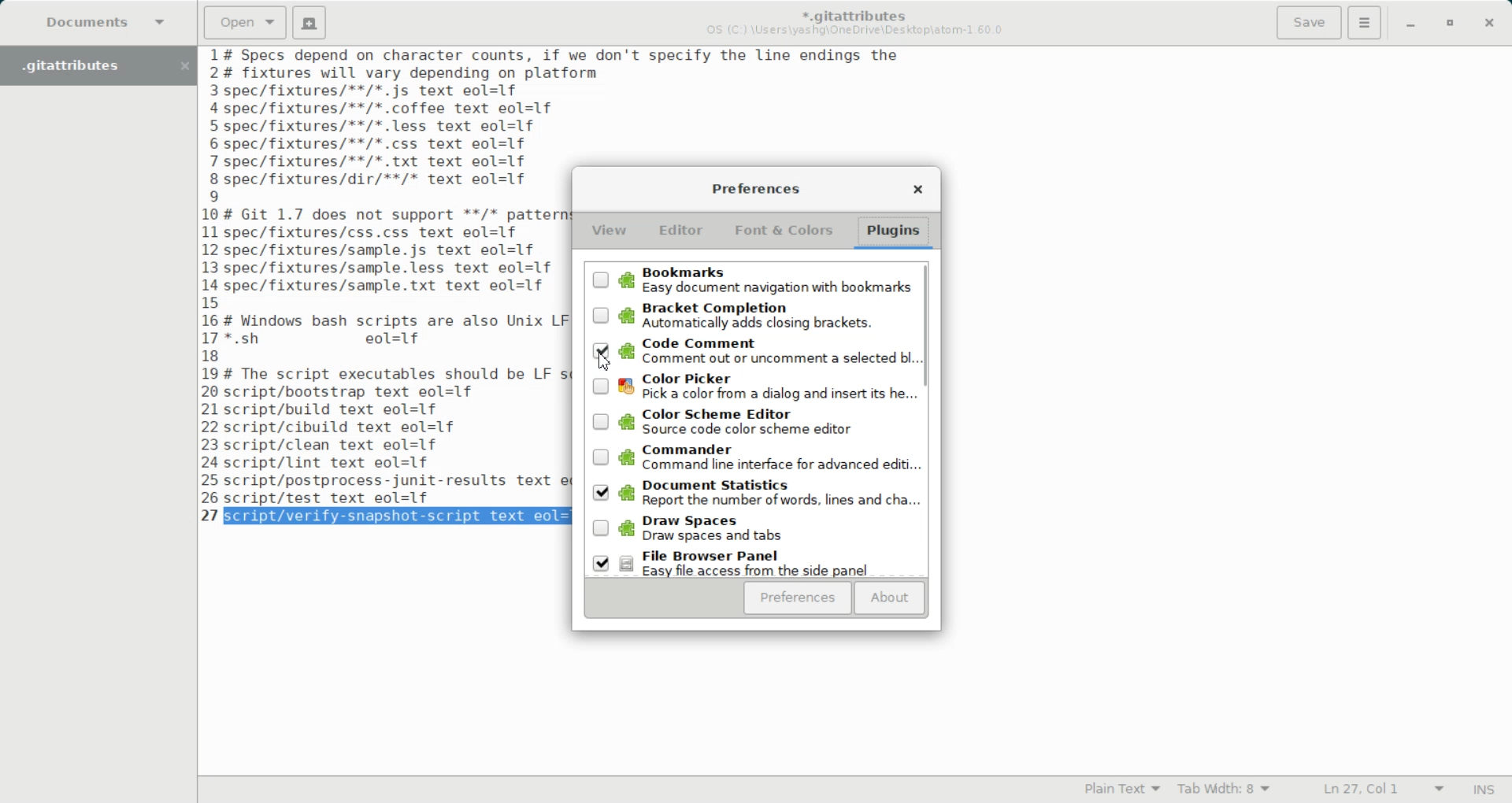 The image size is (1512, 803). What do you see at coordinates (1484, 789) in the screenshot?
I see `INS` at bounding box center [1484, 789].